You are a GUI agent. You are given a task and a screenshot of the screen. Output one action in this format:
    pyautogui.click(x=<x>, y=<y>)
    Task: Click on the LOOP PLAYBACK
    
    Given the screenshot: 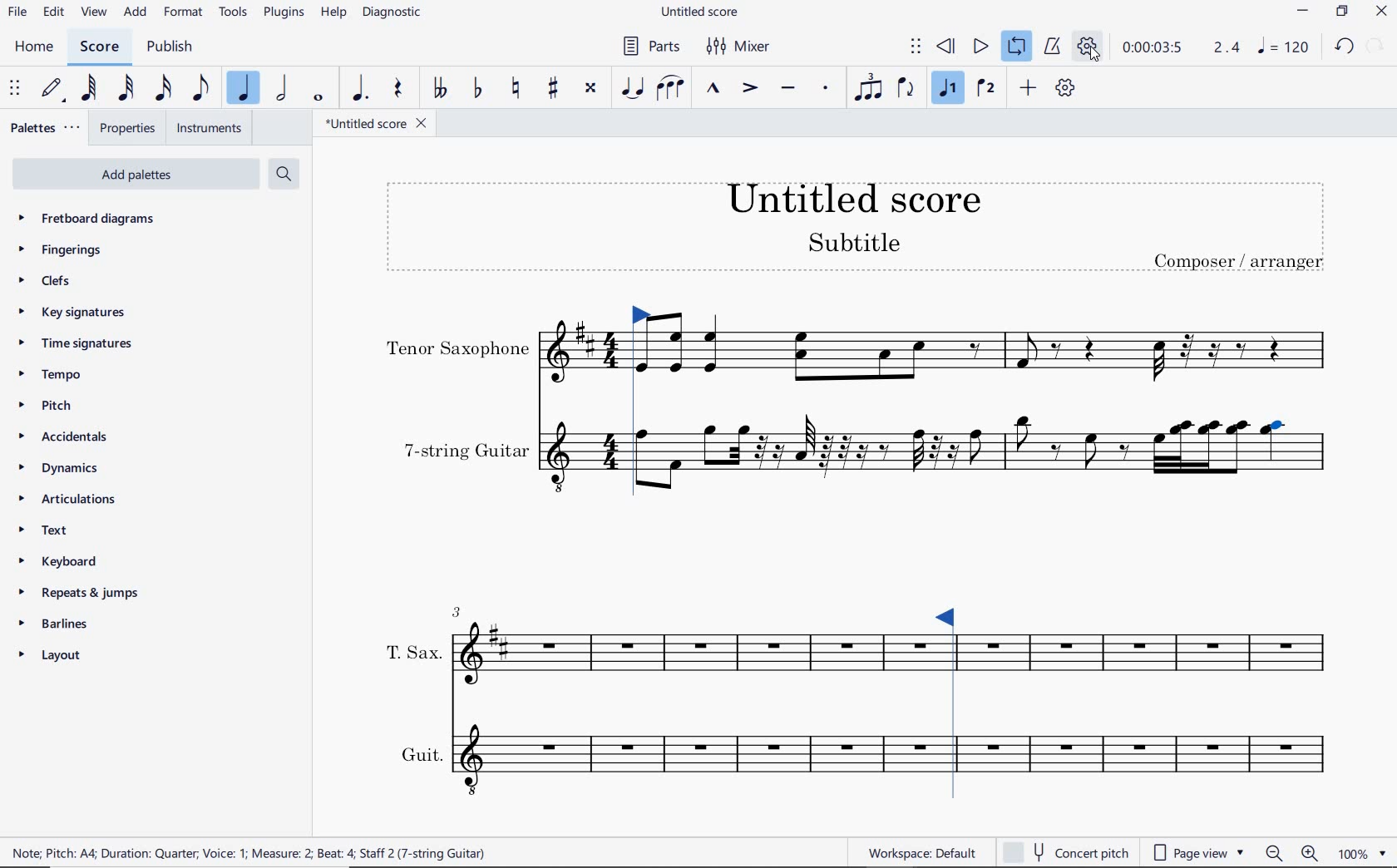 What is the action you would take?
    pyautogui.click(x=1016, y=45)
    